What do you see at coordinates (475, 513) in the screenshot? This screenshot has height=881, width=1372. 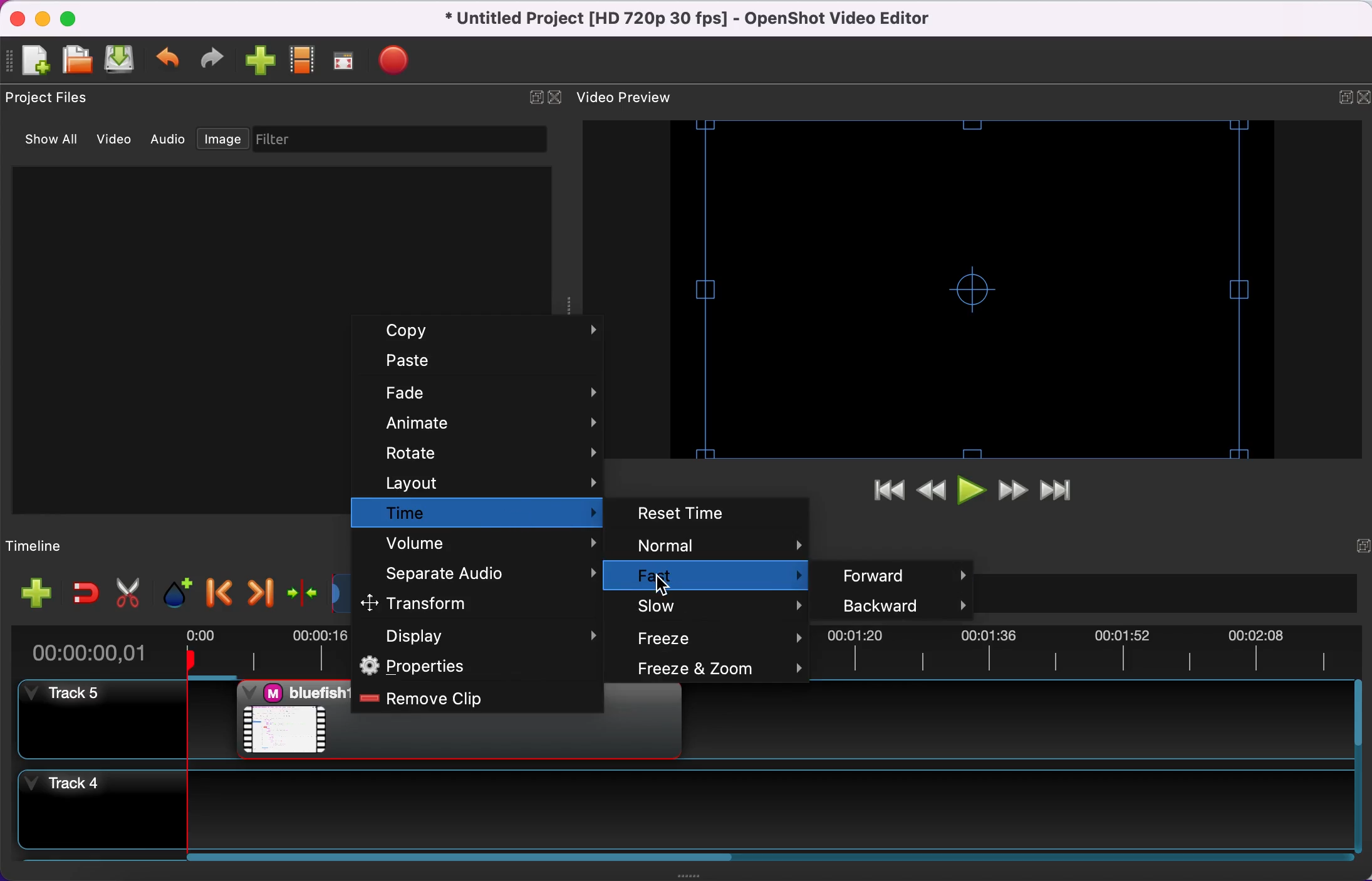 I see `time` at bounding box center [475, 513].